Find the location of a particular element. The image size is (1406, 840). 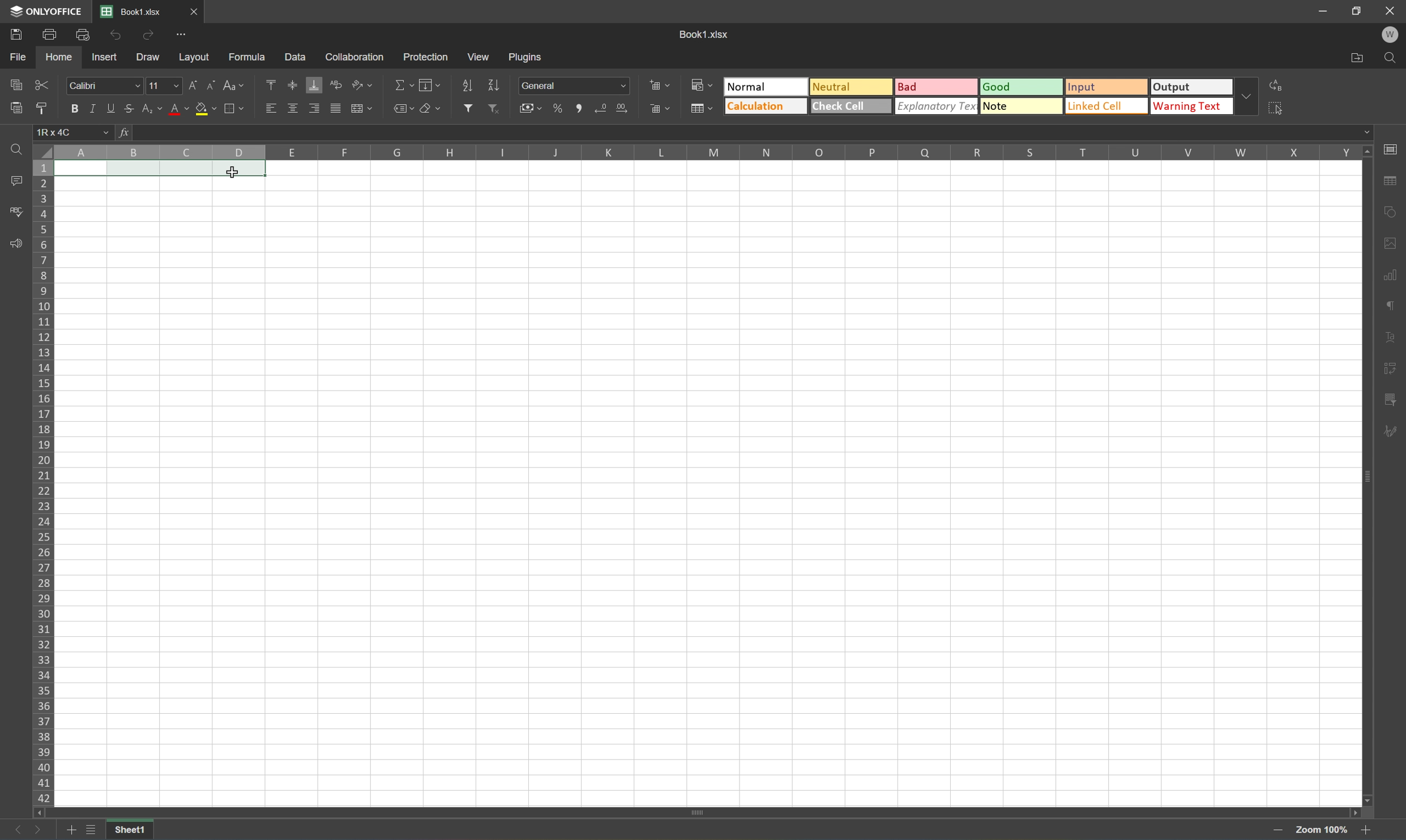

Data is located at coordinates (293, 54).